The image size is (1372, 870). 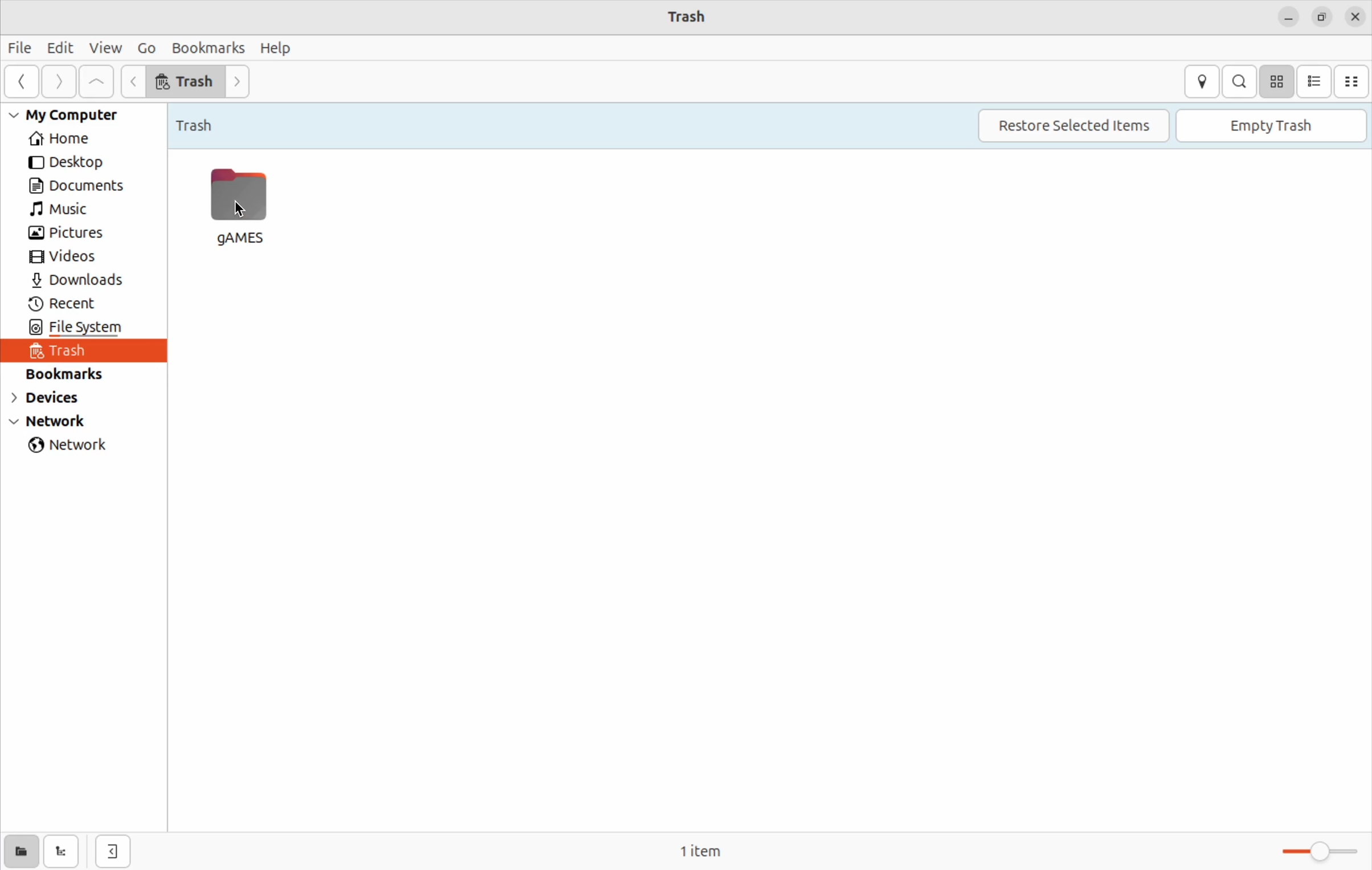 What do you see at coordinates (75, 115) in the screenshot?
I see `my computer` at bounding box center [75, 115].